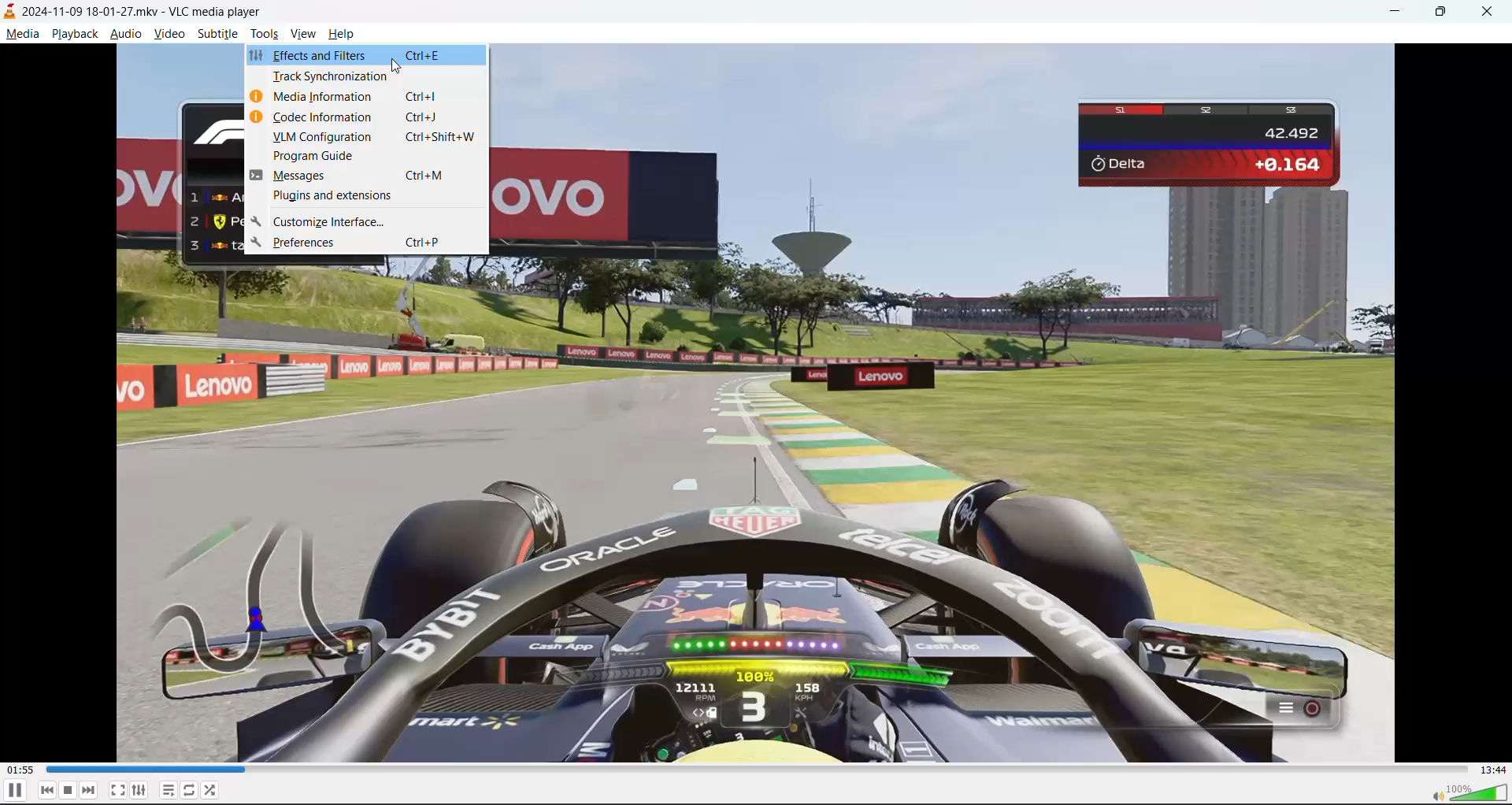 The image size is (1512, 805). Describe the element at coordinates (399, 68) in the screenshot. I see `cursor` at that location.